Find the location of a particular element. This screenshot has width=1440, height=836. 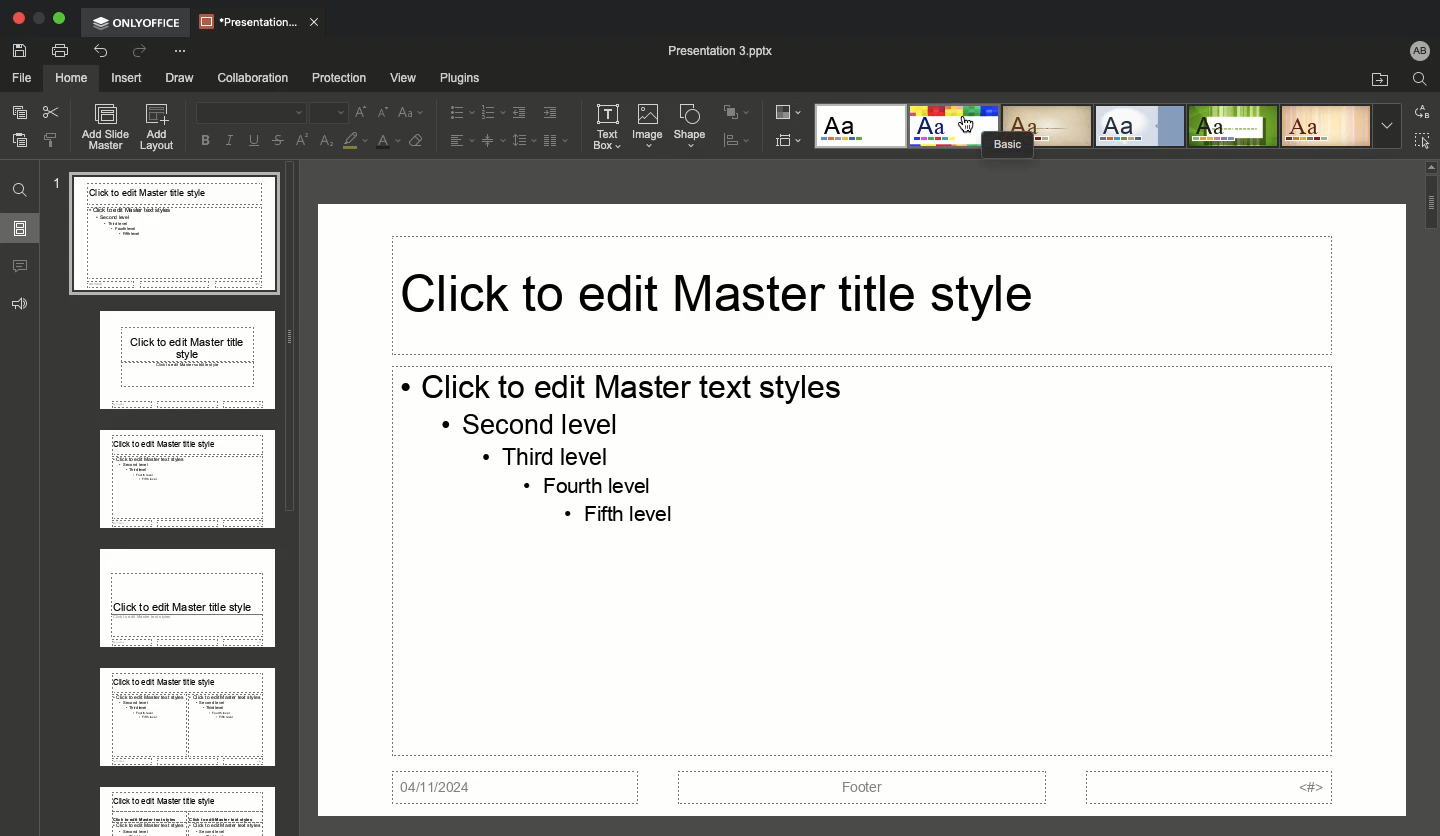

List bullet is located at coordinates (460, 112).